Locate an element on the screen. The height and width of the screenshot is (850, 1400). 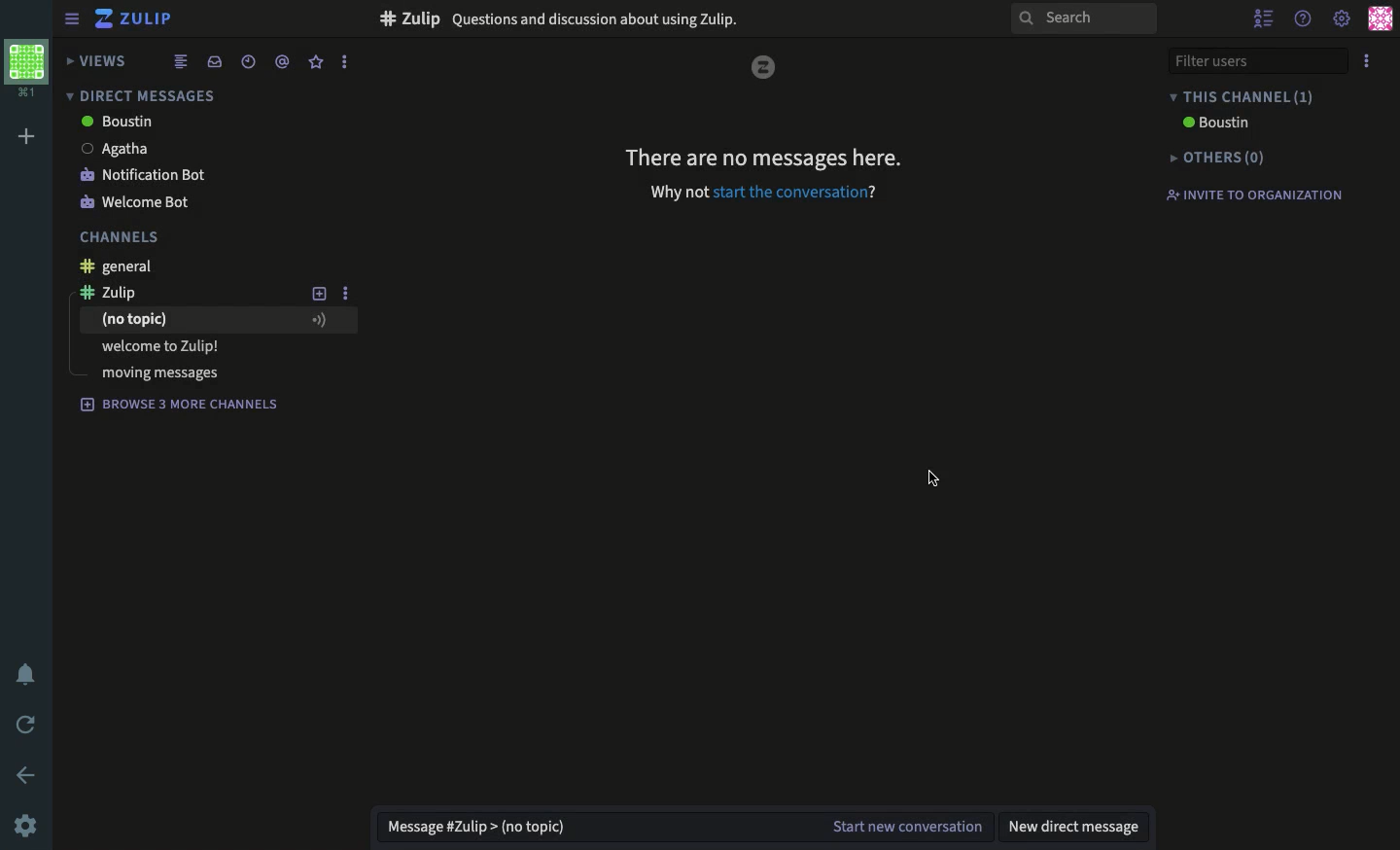
views is located at coordinates (98, 60).